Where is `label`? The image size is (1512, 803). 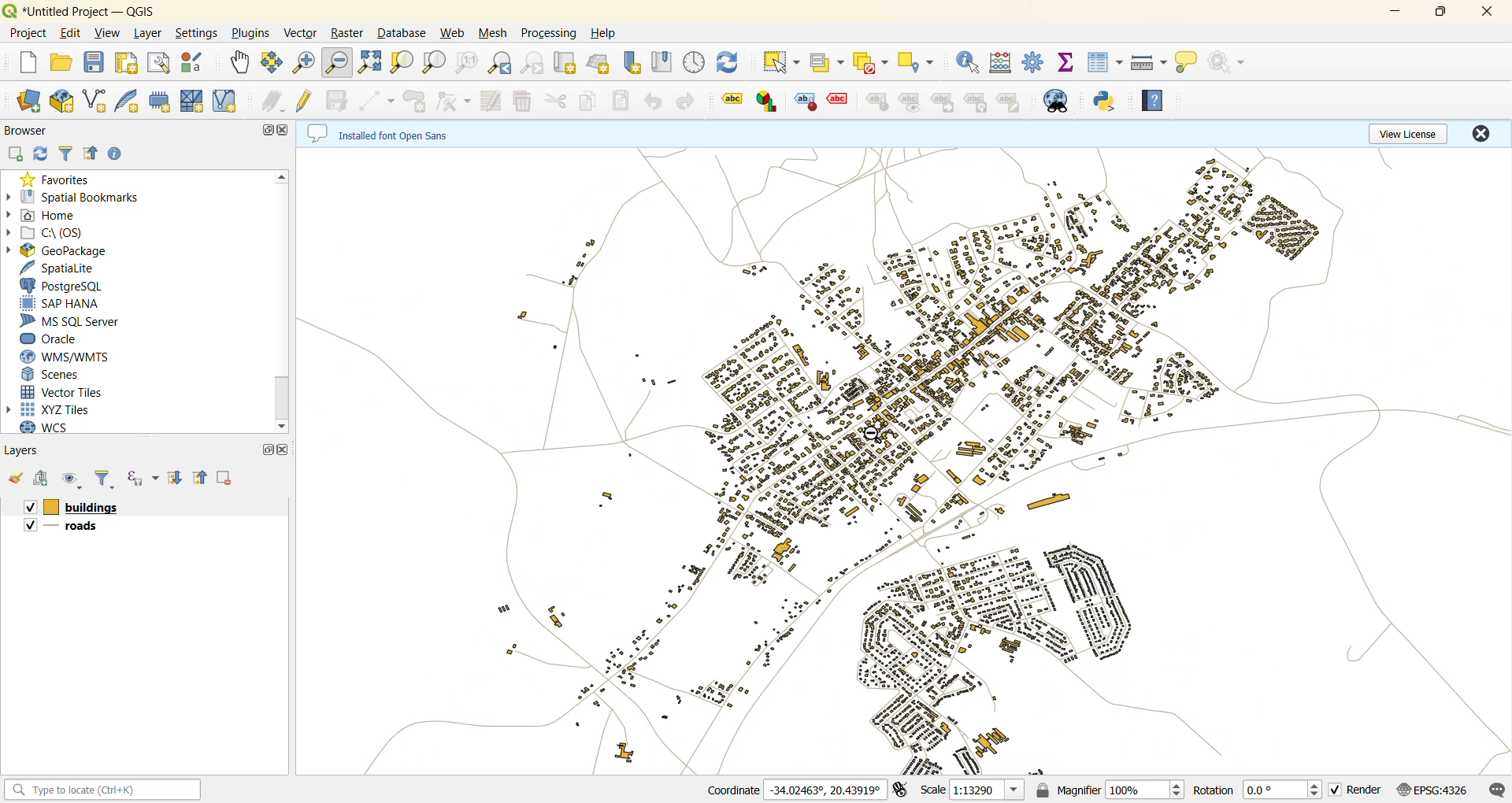
label is located at coordinates (877, 103).